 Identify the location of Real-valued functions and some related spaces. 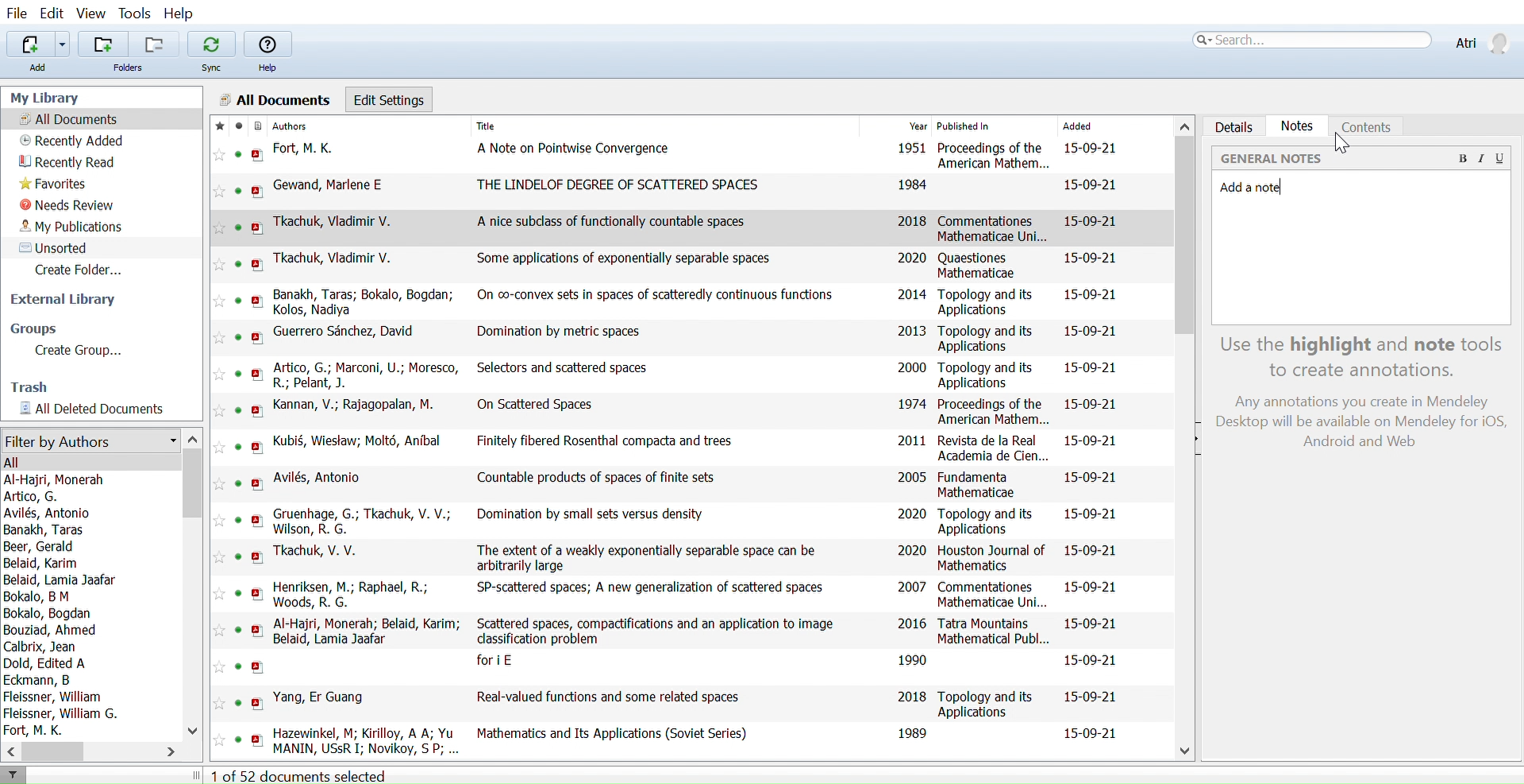
(609, 698).